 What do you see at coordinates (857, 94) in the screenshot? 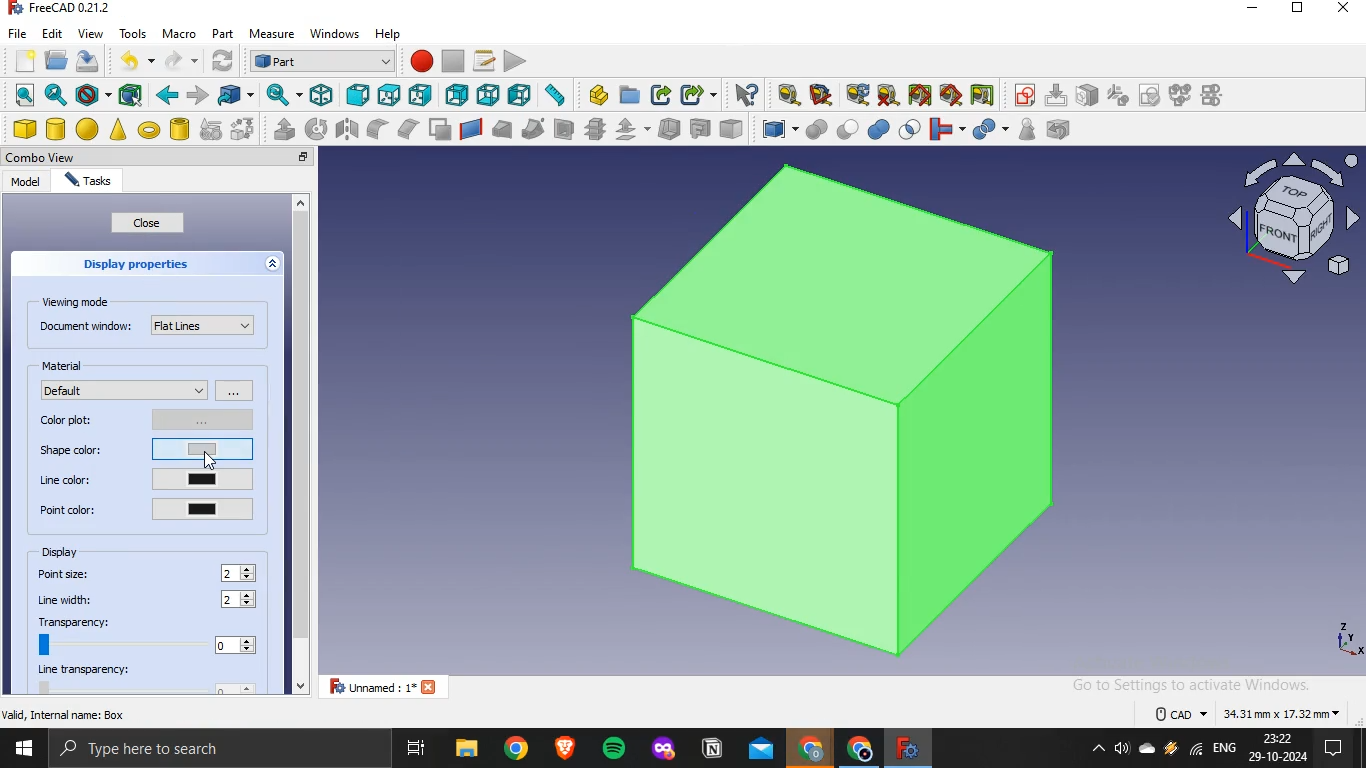
I see `refresh` at bounding box center [857, 94].